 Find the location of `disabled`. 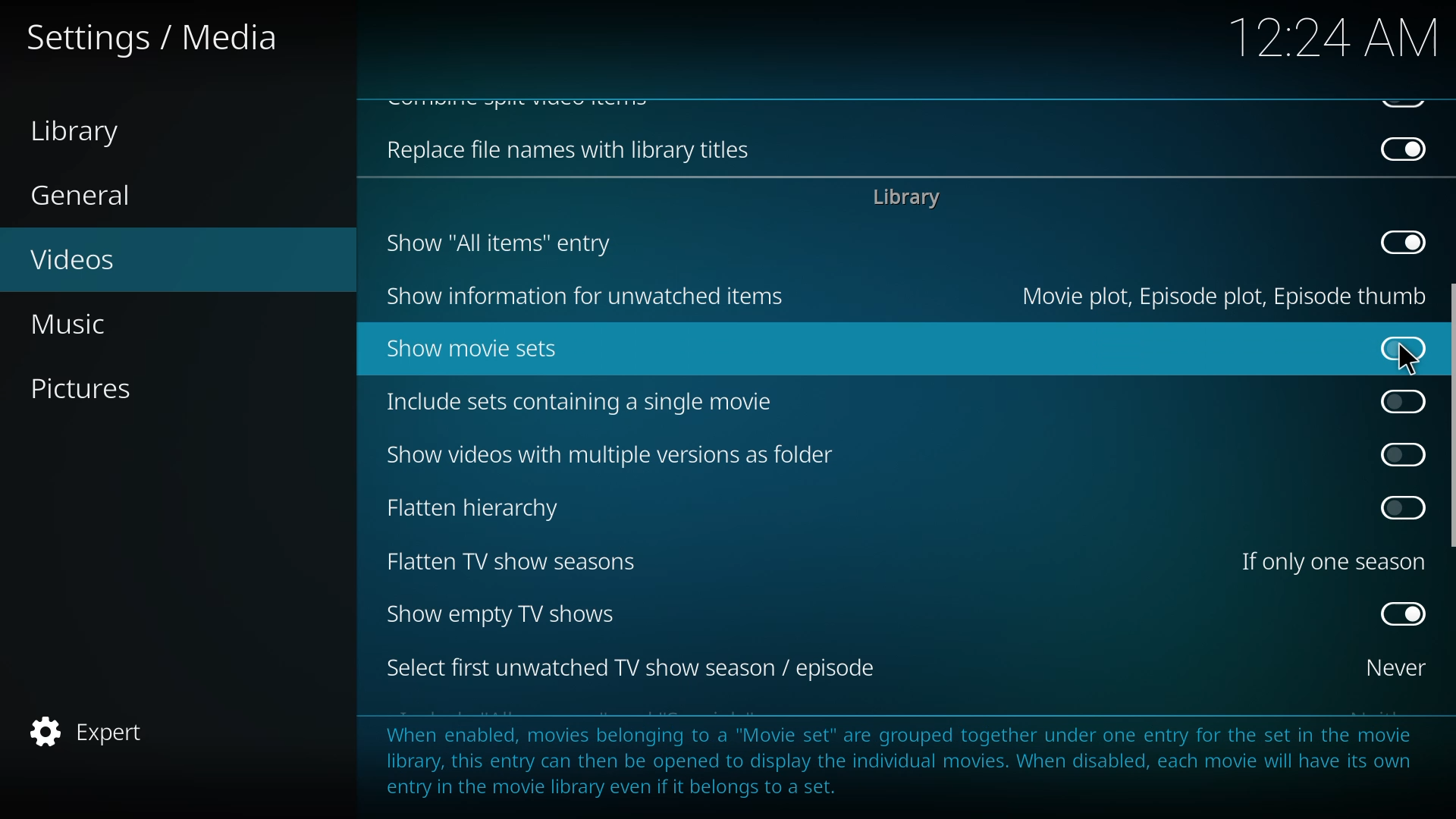

disabled is located at coordinates (1404, 347).